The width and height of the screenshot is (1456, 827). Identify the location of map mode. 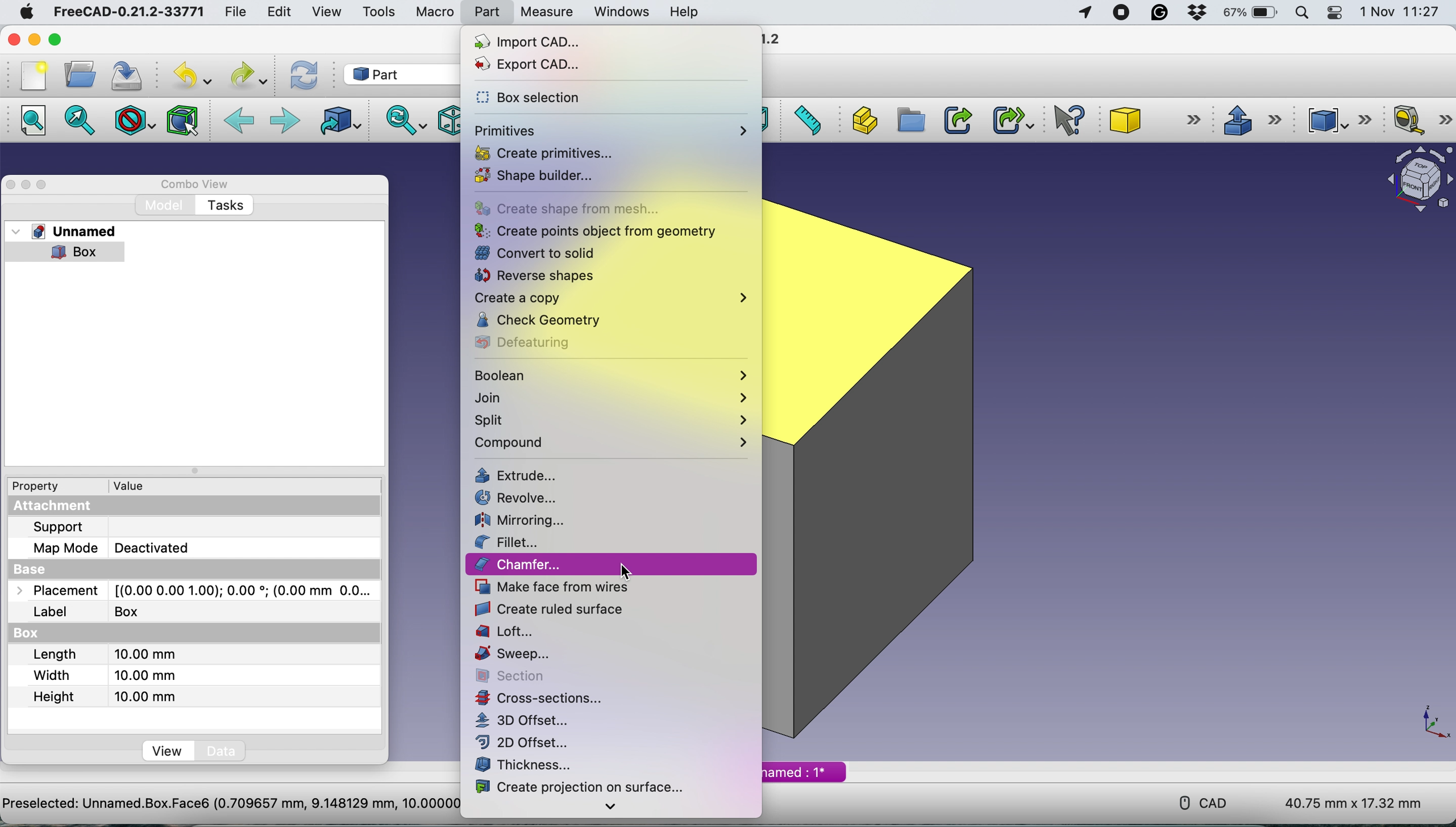
(116, 547).